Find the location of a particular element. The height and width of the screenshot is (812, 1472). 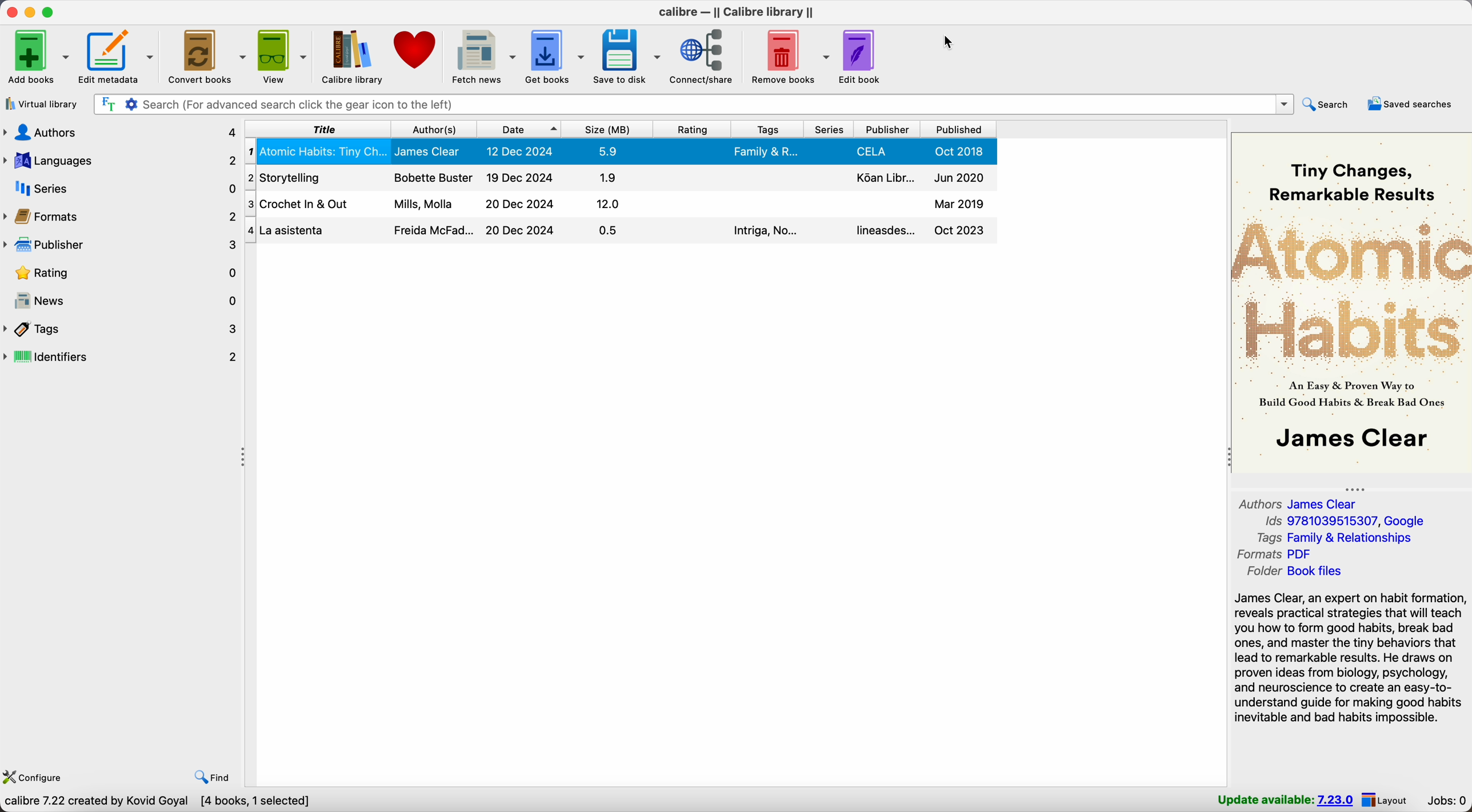

Jobs: 0 is located at coordinates (1449, 800).